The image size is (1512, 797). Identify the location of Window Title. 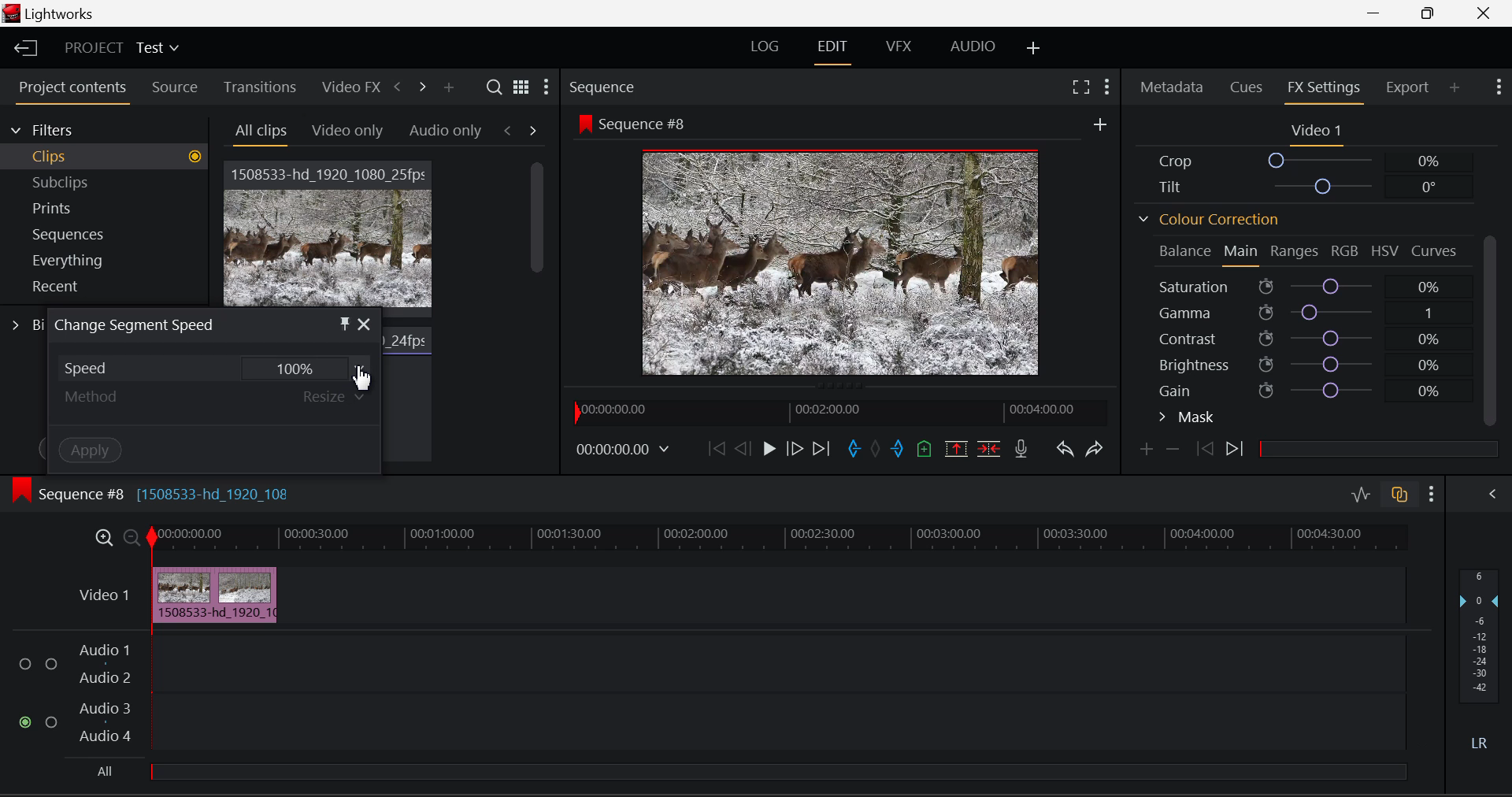
(140, 327).